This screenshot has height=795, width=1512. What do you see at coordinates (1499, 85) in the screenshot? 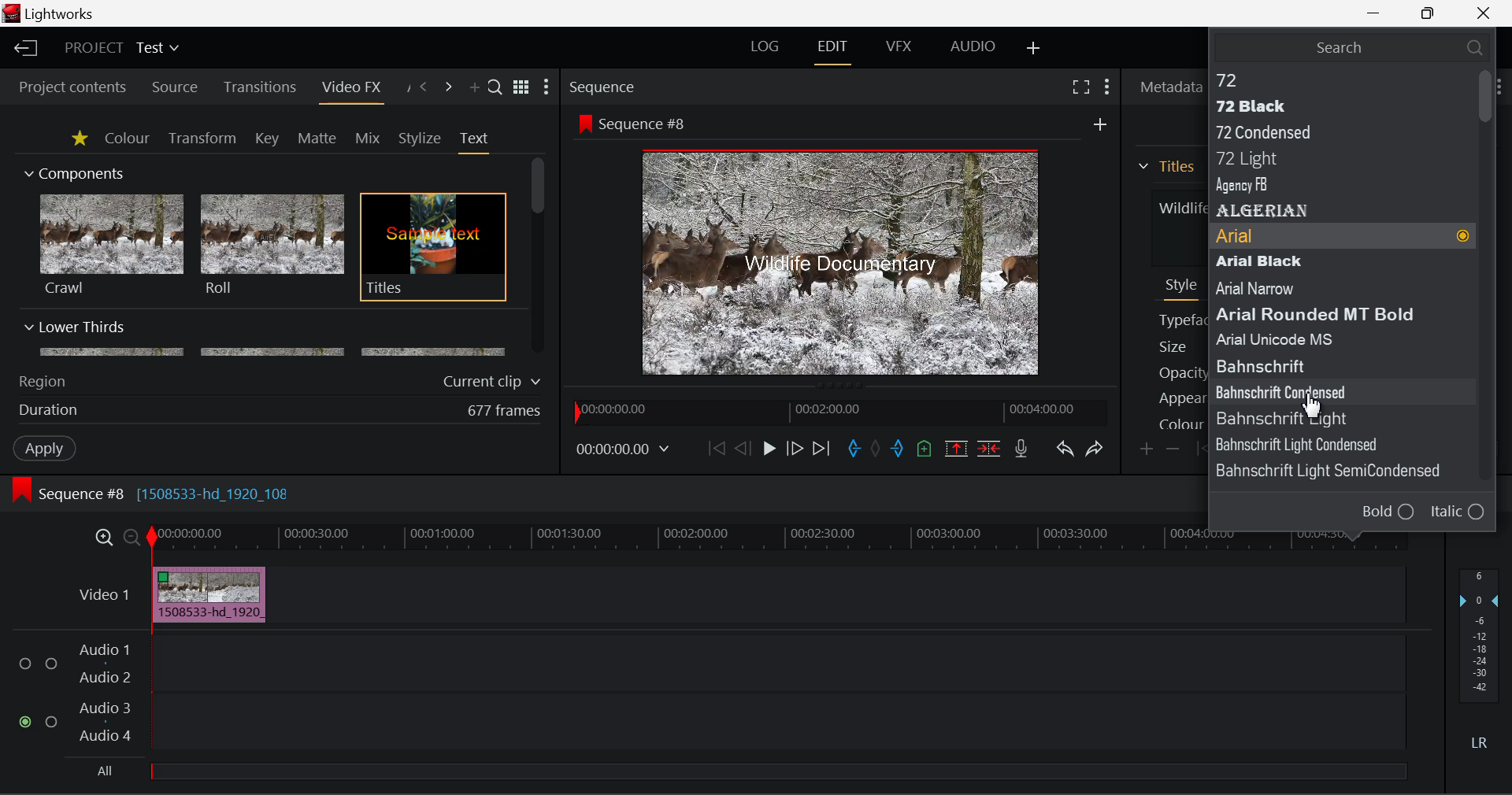
I see `Show Settings` at bounding box center [1499, 85].